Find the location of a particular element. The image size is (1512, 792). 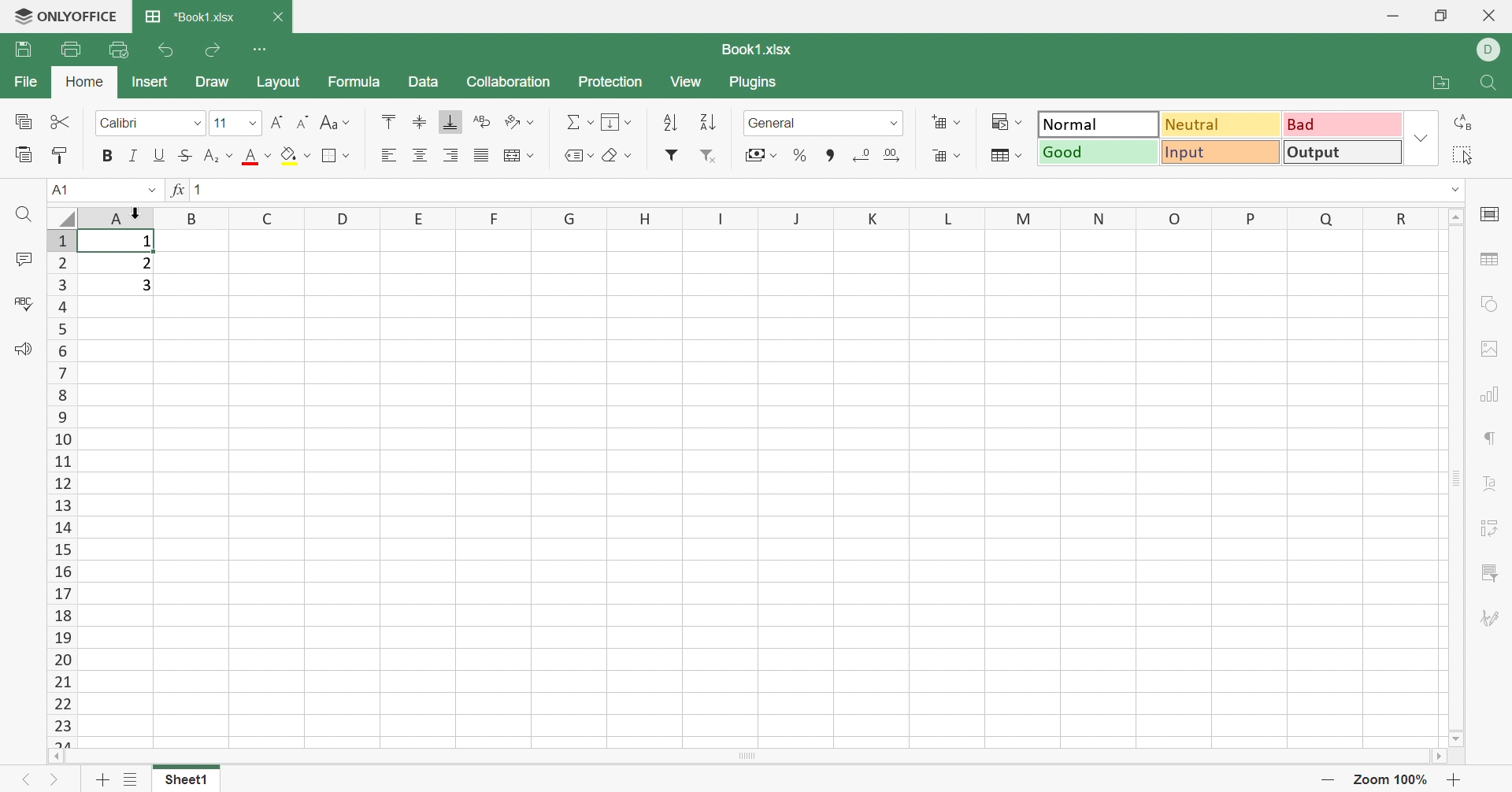

Slicer settings is located at coordinates (1493, 572).